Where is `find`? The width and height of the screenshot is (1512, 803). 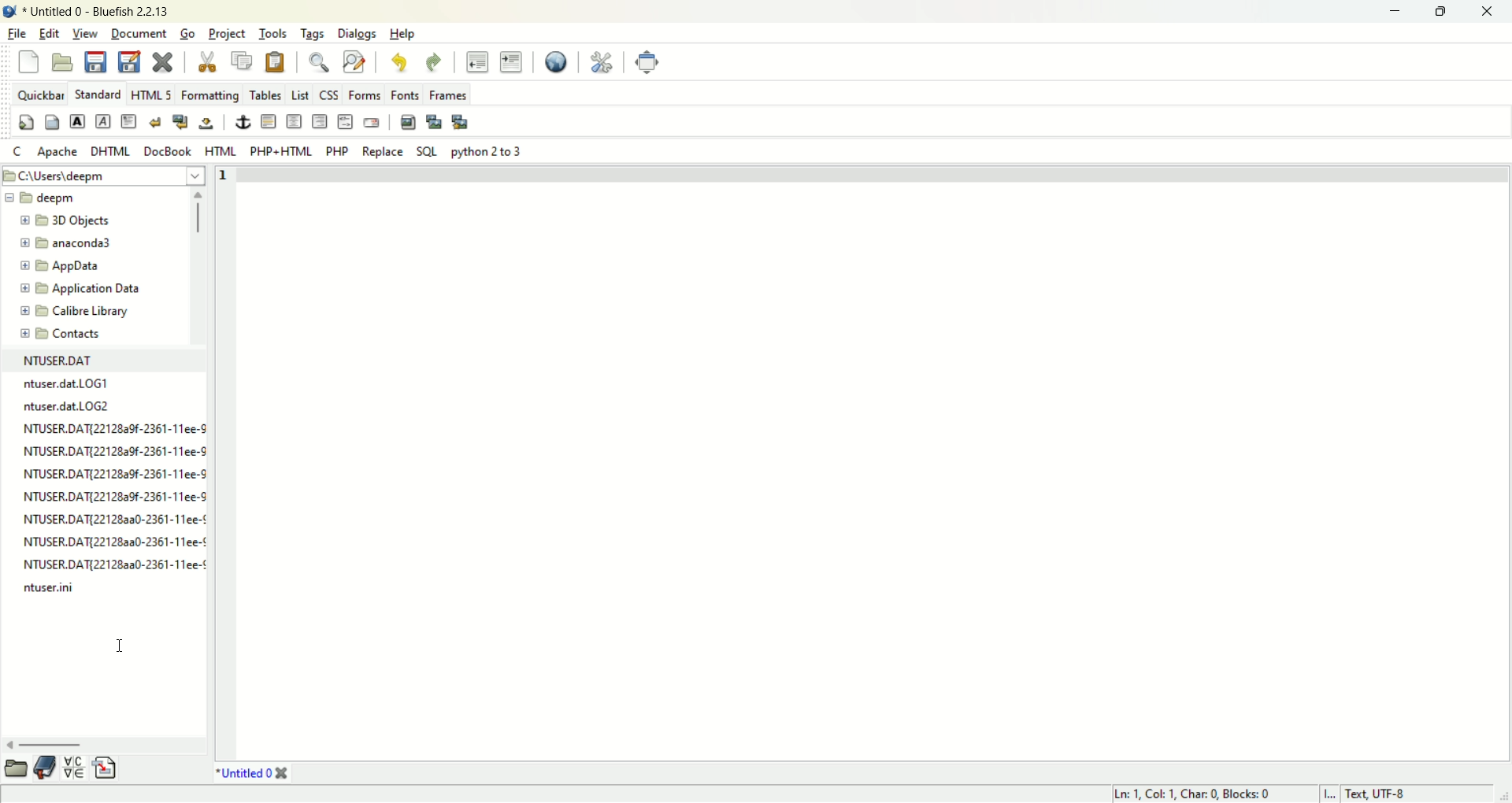 find is located at coordinates (317, 62).